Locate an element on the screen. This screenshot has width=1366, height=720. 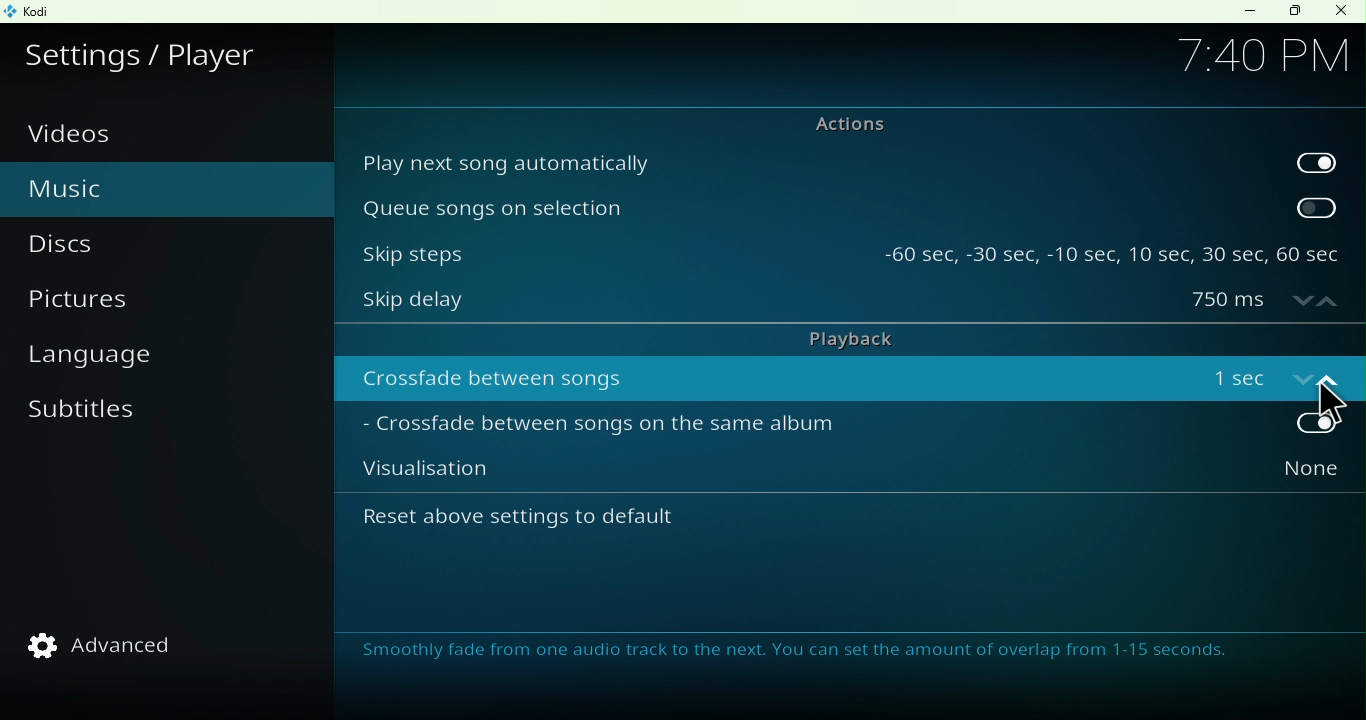
on/off toggle is located at coordinates (1269, 375).